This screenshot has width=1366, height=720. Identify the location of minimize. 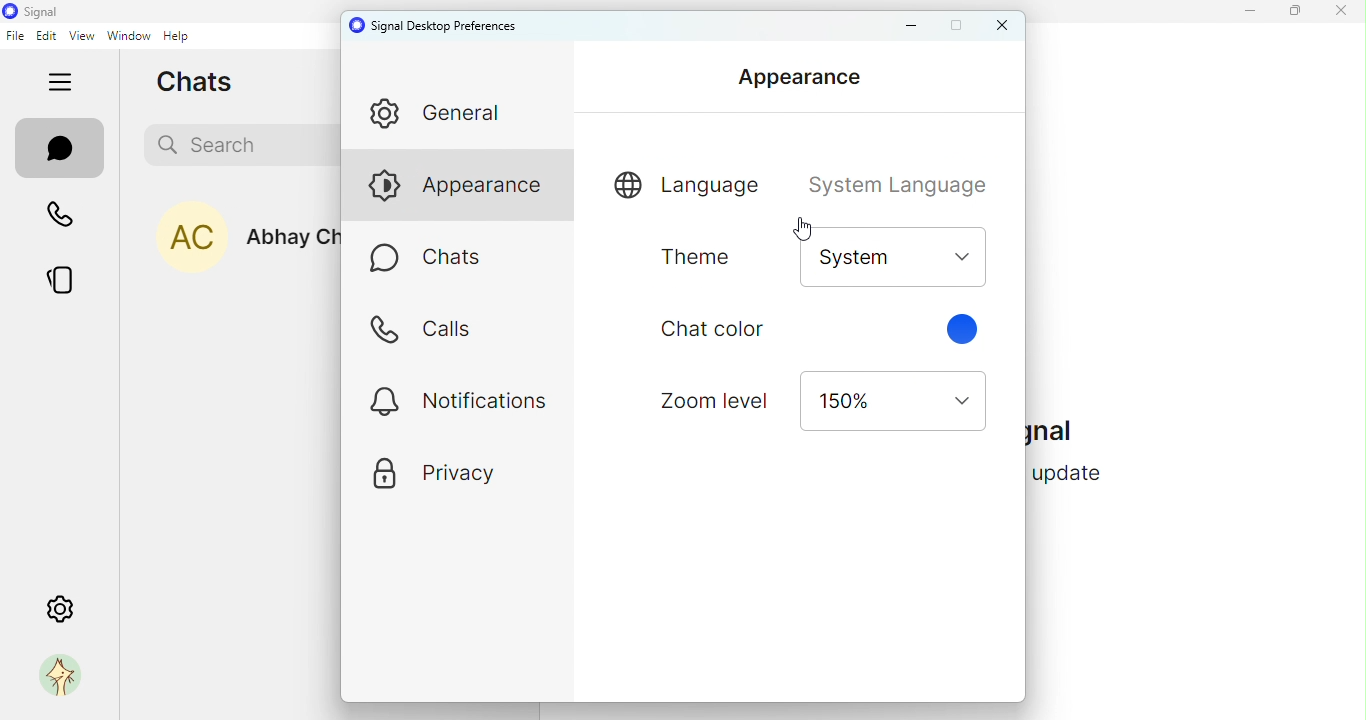
(913, 26).